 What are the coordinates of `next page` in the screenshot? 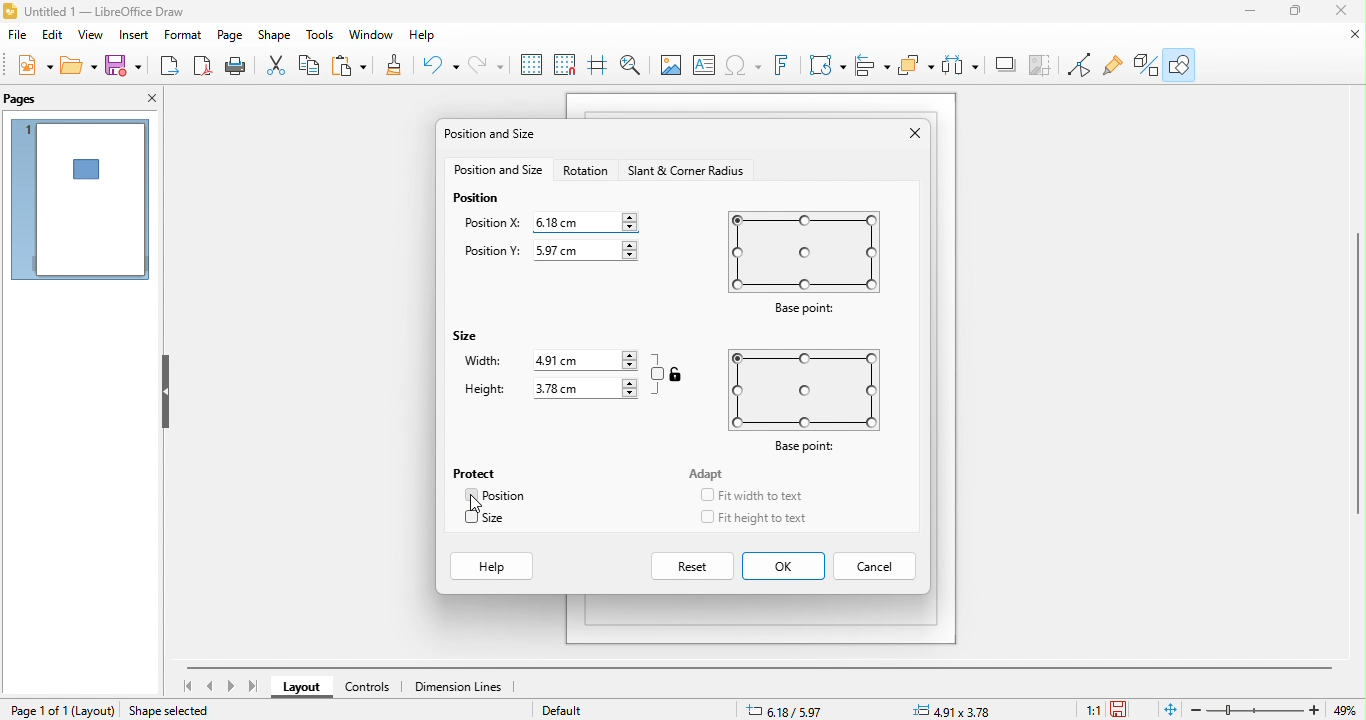 It's located at (231, 686).